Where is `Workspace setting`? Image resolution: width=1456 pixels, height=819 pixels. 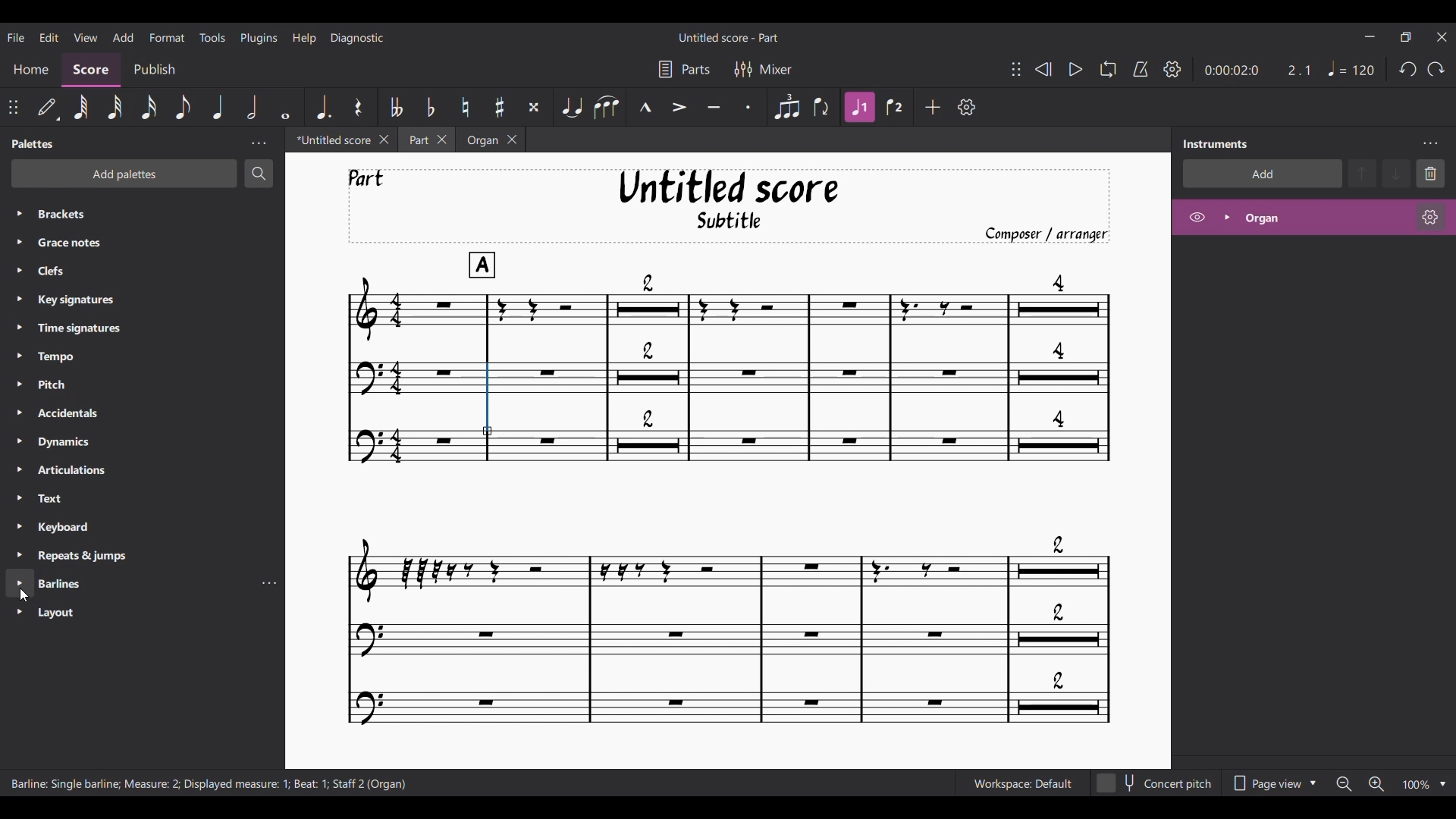
Workspace setting is located at coordinates (1022, 783).